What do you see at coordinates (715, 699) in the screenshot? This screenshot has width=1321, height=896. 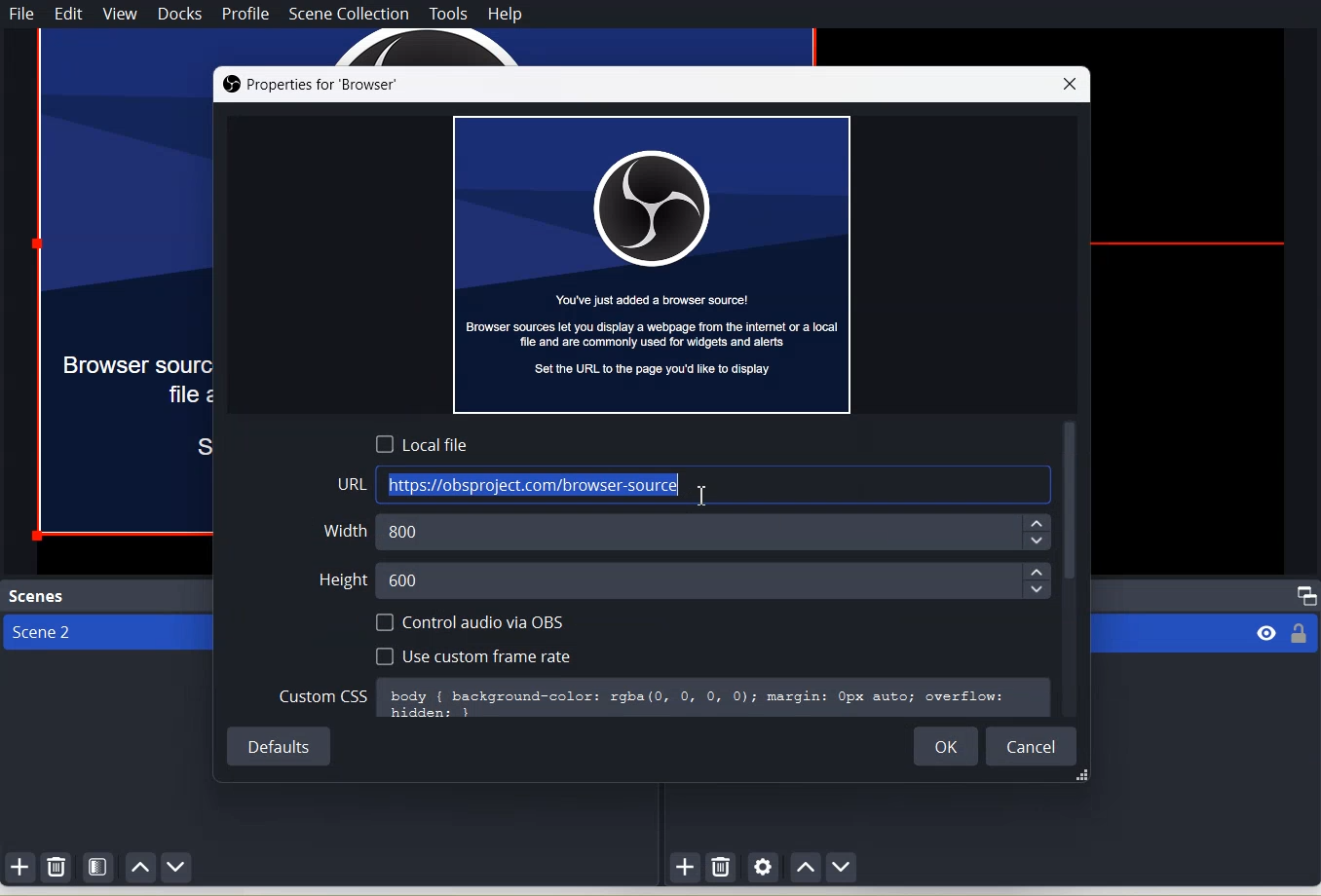 I see `body { background-color: rgba(0, 0, 0, 0); margin: Opx auto; overflow:hiddens` at bounding box center [715, 699].